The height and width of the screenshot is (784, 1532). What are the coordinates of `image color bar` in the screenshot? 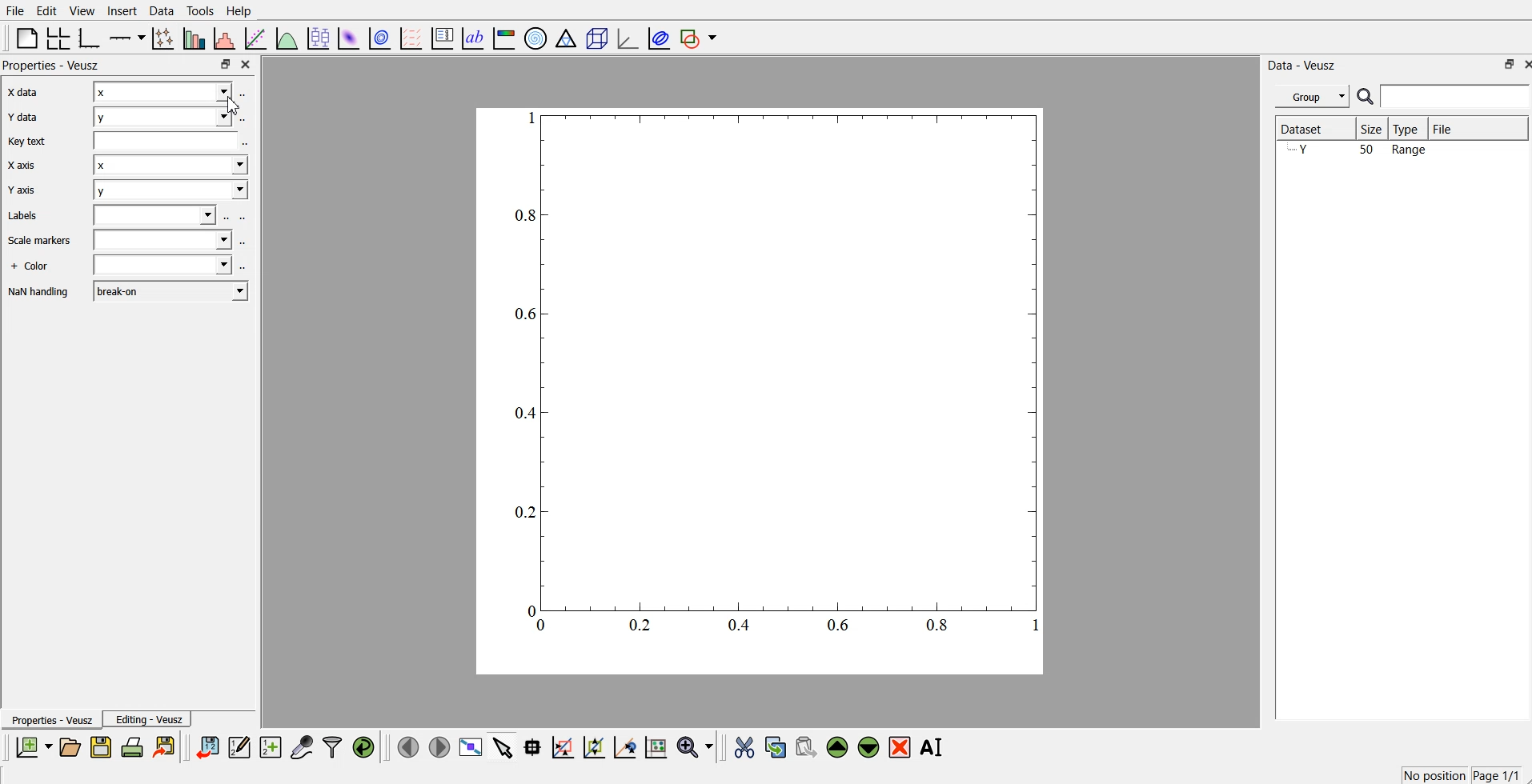 It's located at (503, 37).